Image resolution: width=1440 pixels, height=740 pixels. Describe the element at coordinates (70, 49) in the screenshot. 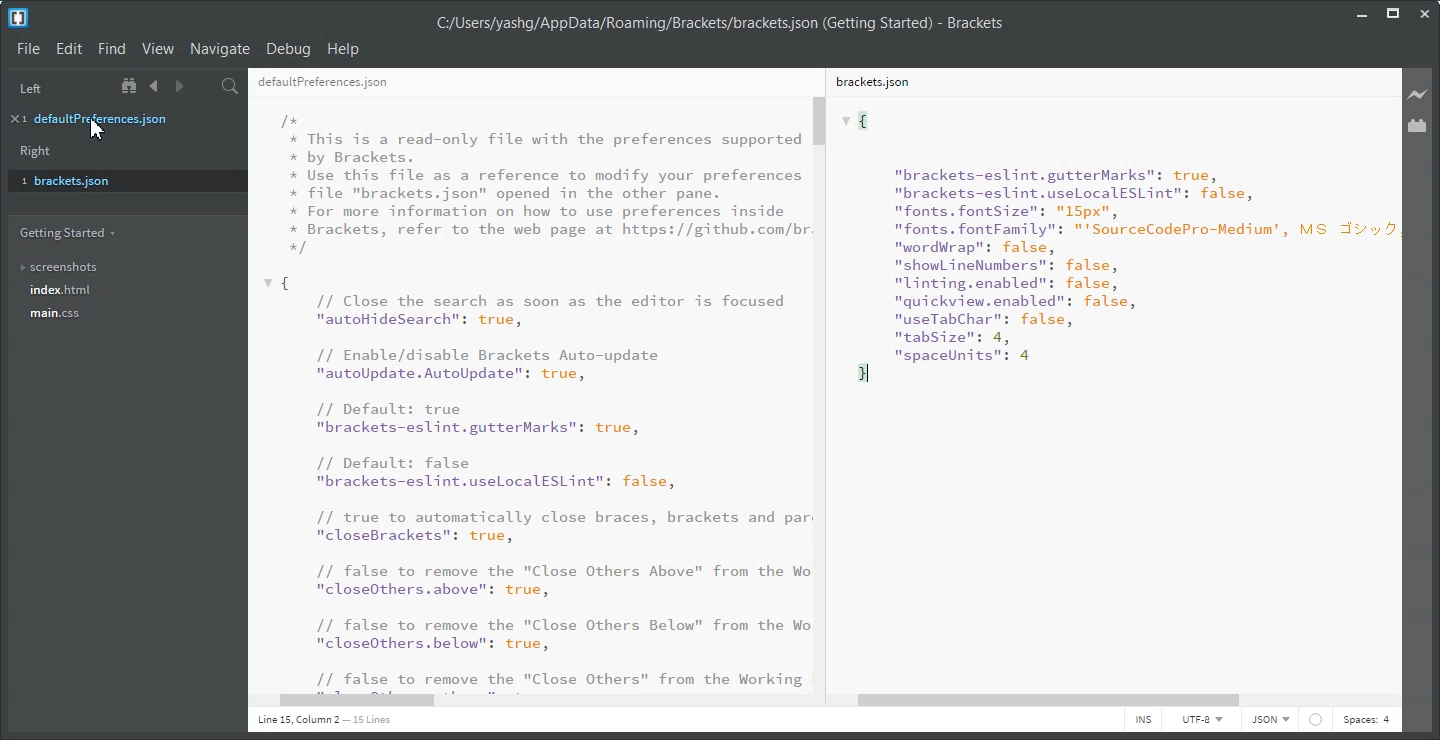

I see `Edit` at that location.